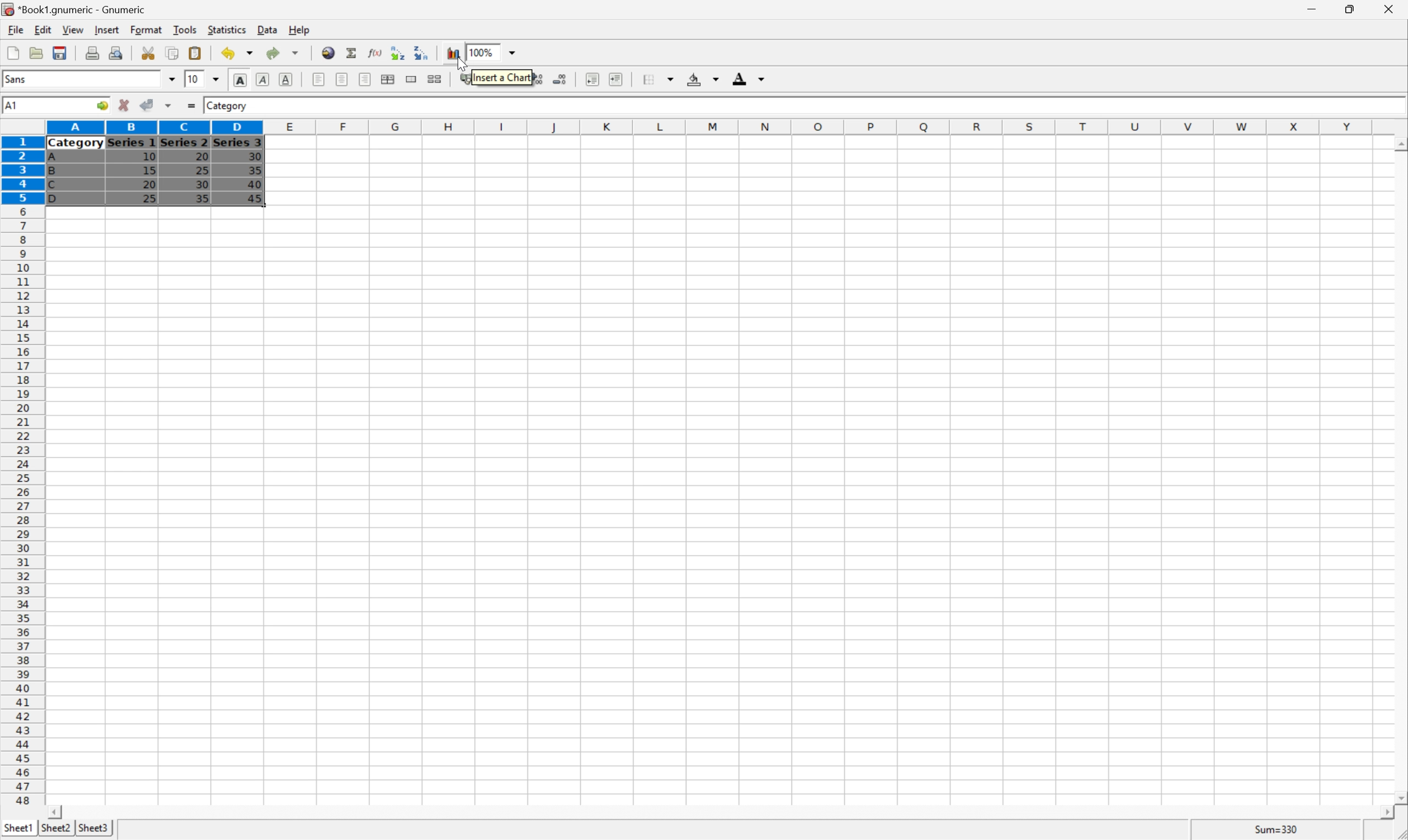 The height and width of the screenshot is (840, 1408). I want to click on Drop Down, so click(216, 80).